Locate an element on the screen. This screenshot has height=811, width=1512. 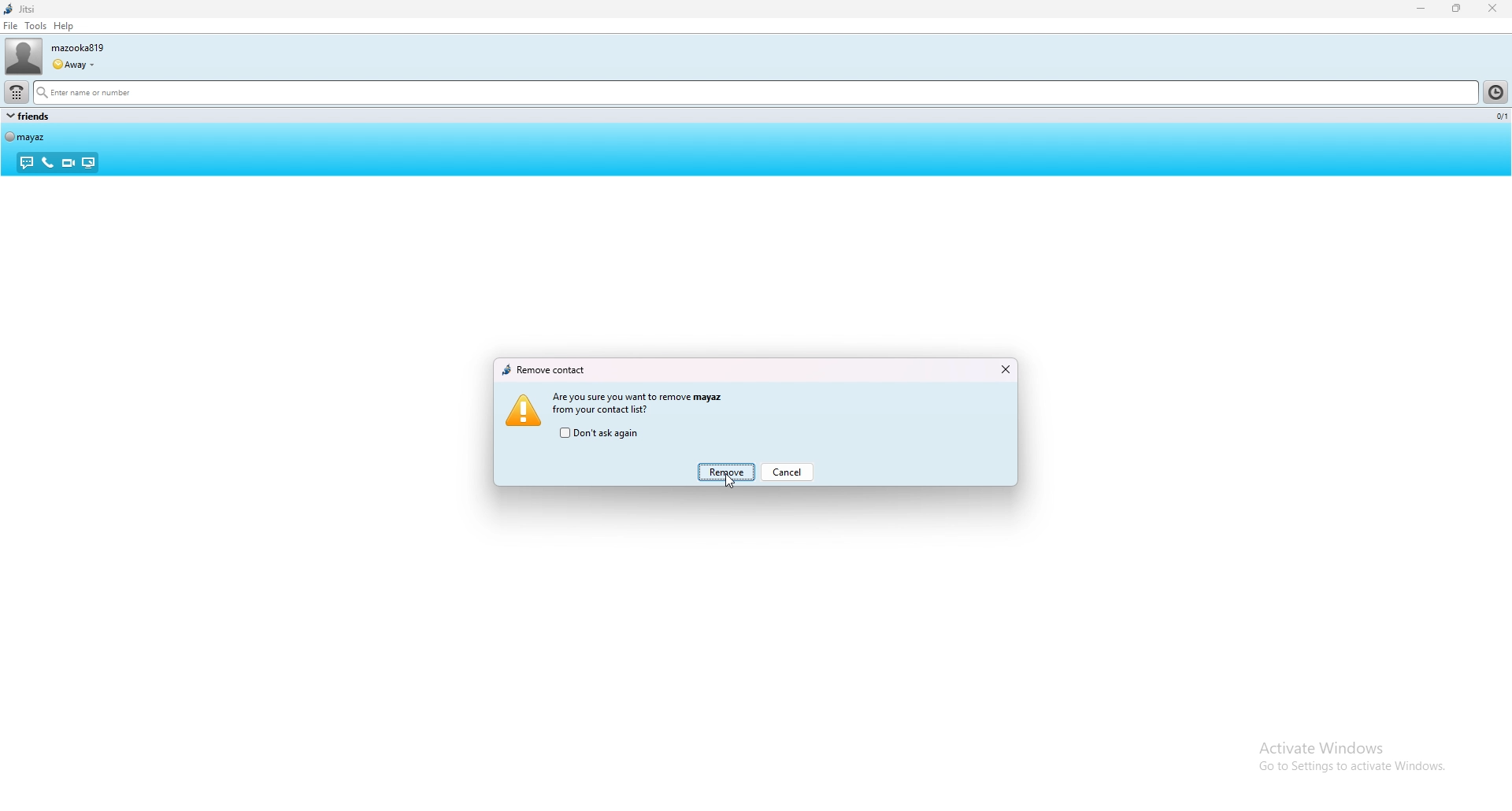
user status is located at coordinates (73, 65).